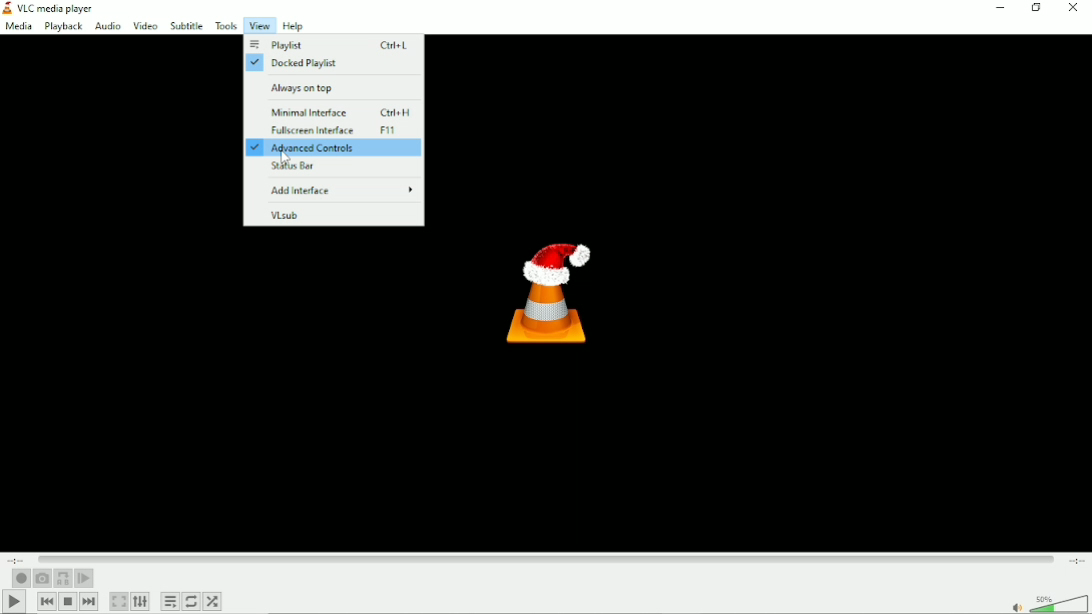 This screenshot has width=1092, height=614. What do you see at coordinates (285, 215) in the screenshot?
I see `VLsub` at bounding box center [285, 215].